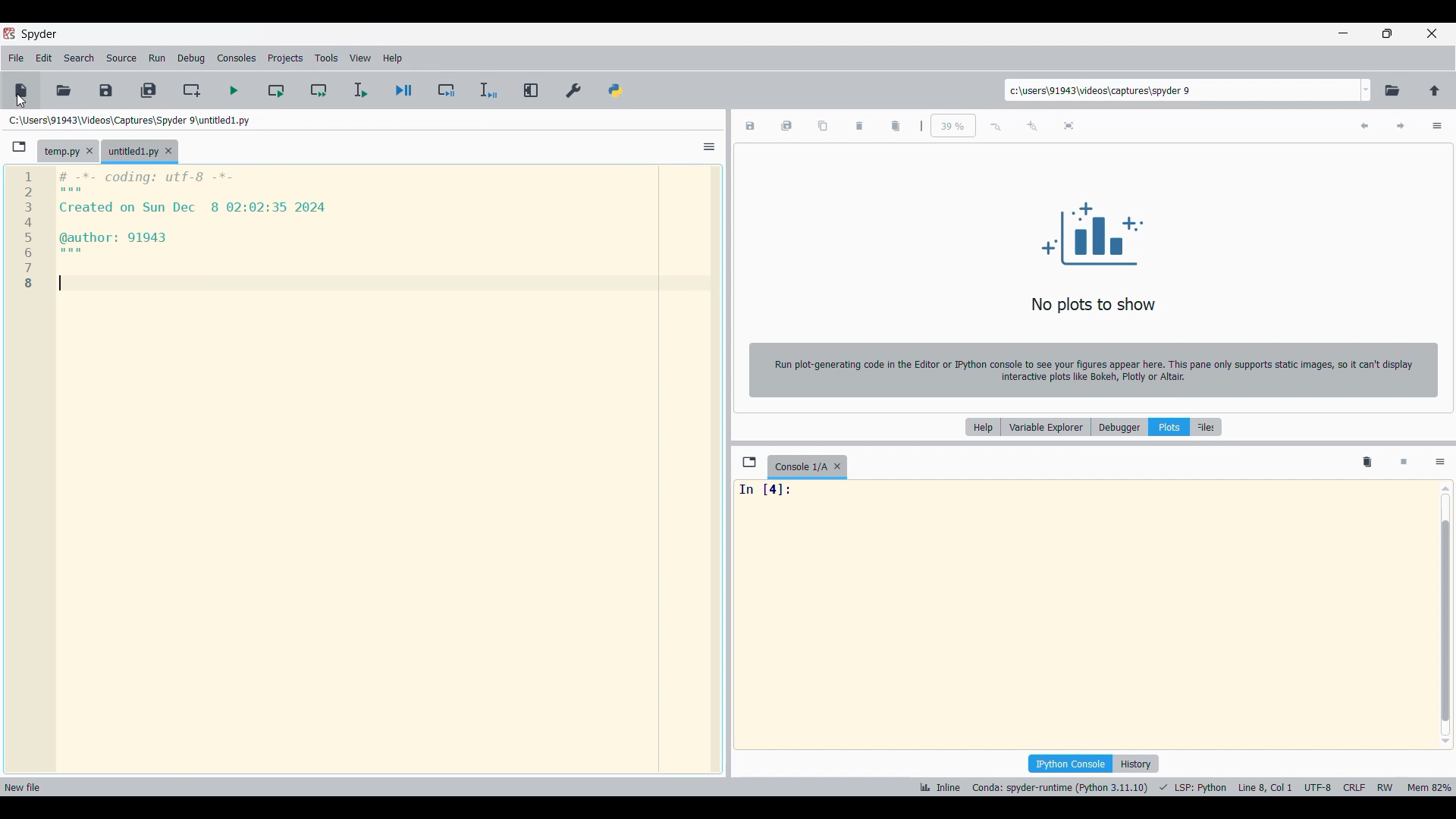 This screenshot has height=819, width=1456. What do you see at coordinates (20, 147) in the screenshot?
I see `Browse tabs` at bounding box center [20, 147].